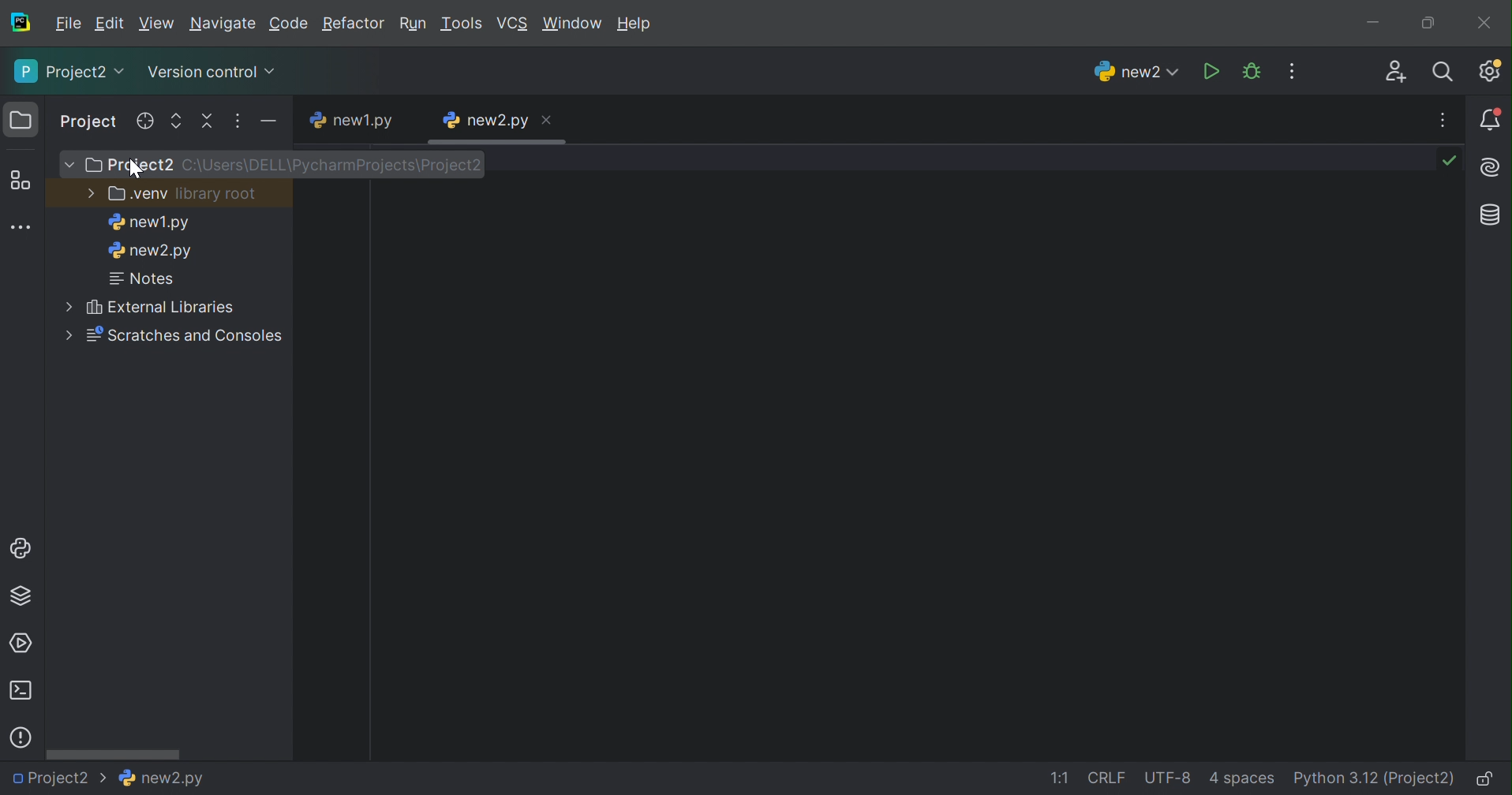 This screenshot has width=1512, height=795. Describe the element at coordinates (58, 782) in the screenshot. I see `Project2` at that location.